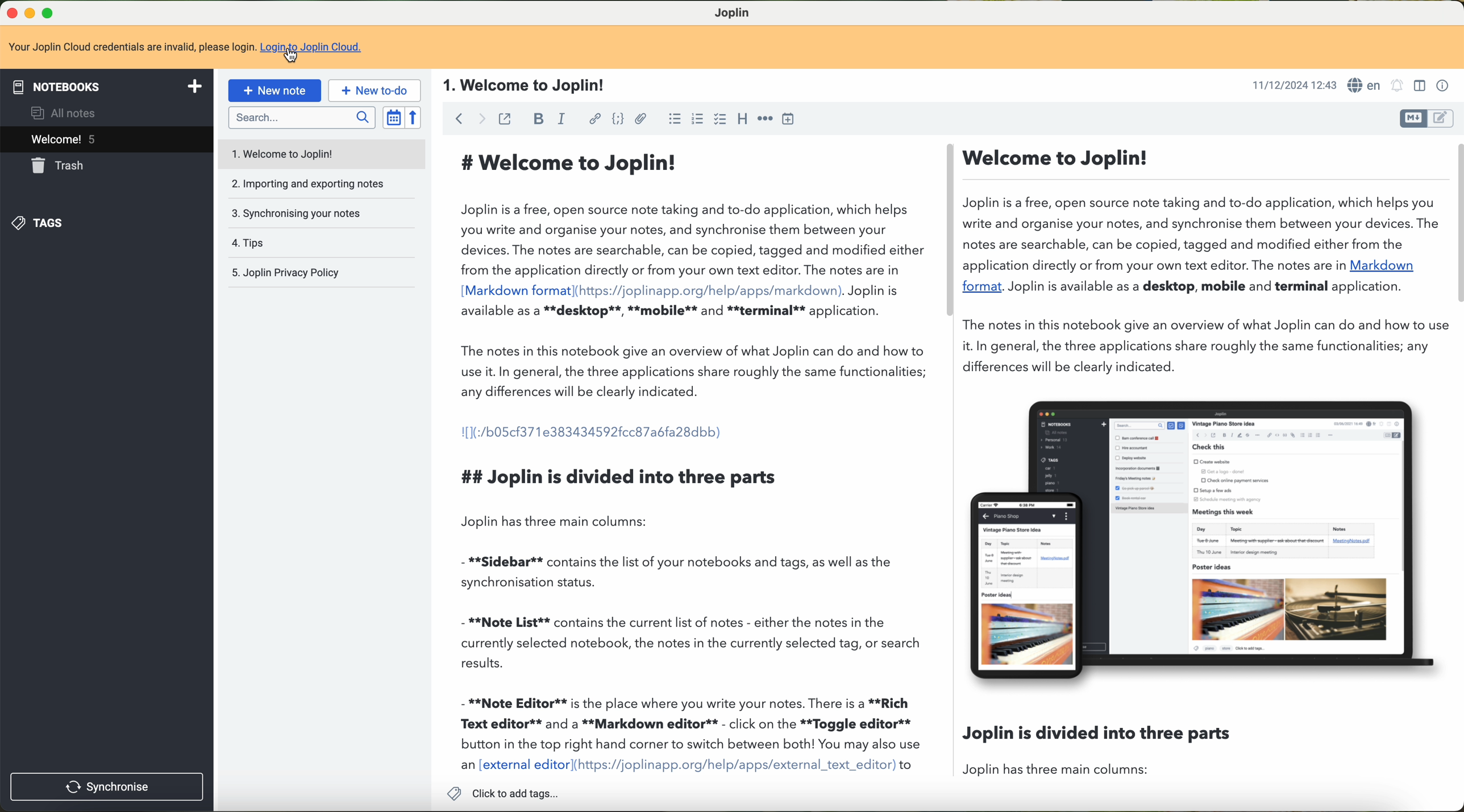 The height and width of the screenshot is (812, 1464). What do you see at coordinates (185, 48) in the screenshot?
I see `click on login joplin cloud` at bounding box center [185, 48].